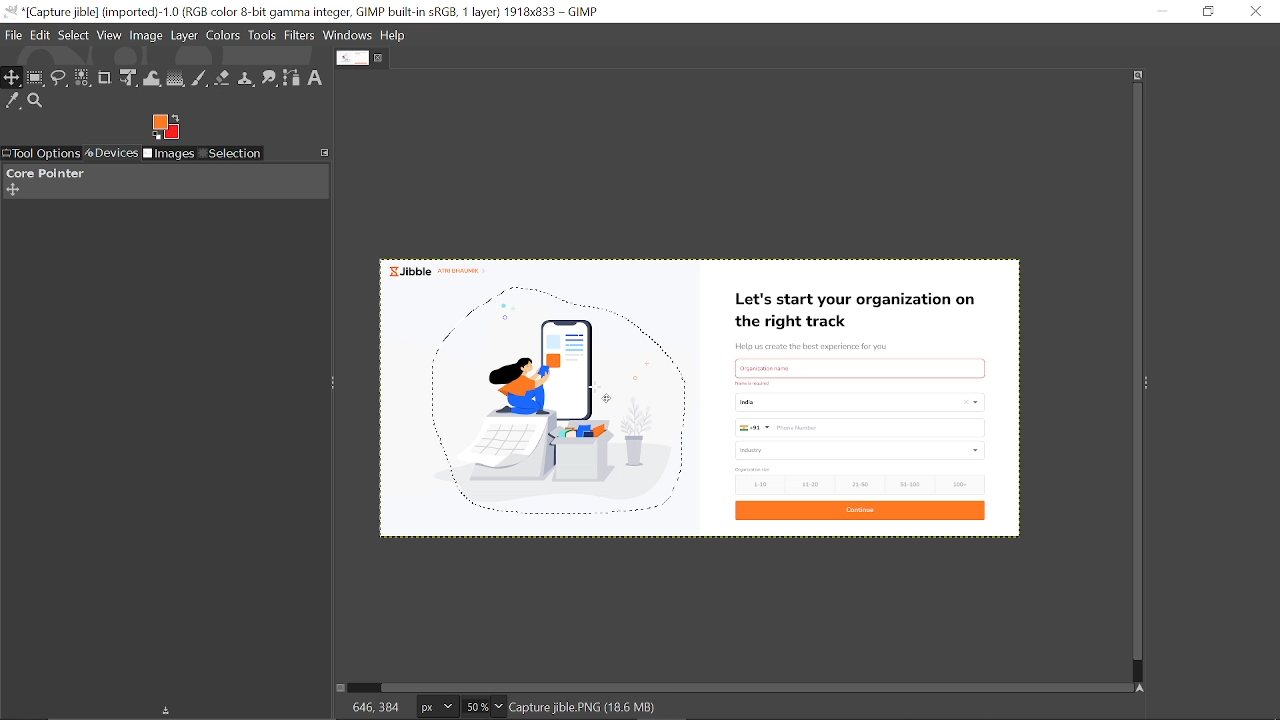  What do you see at coordinates (60, 79) in the screenshot?
I see `Free select tool` at bounding box center [60, 79].